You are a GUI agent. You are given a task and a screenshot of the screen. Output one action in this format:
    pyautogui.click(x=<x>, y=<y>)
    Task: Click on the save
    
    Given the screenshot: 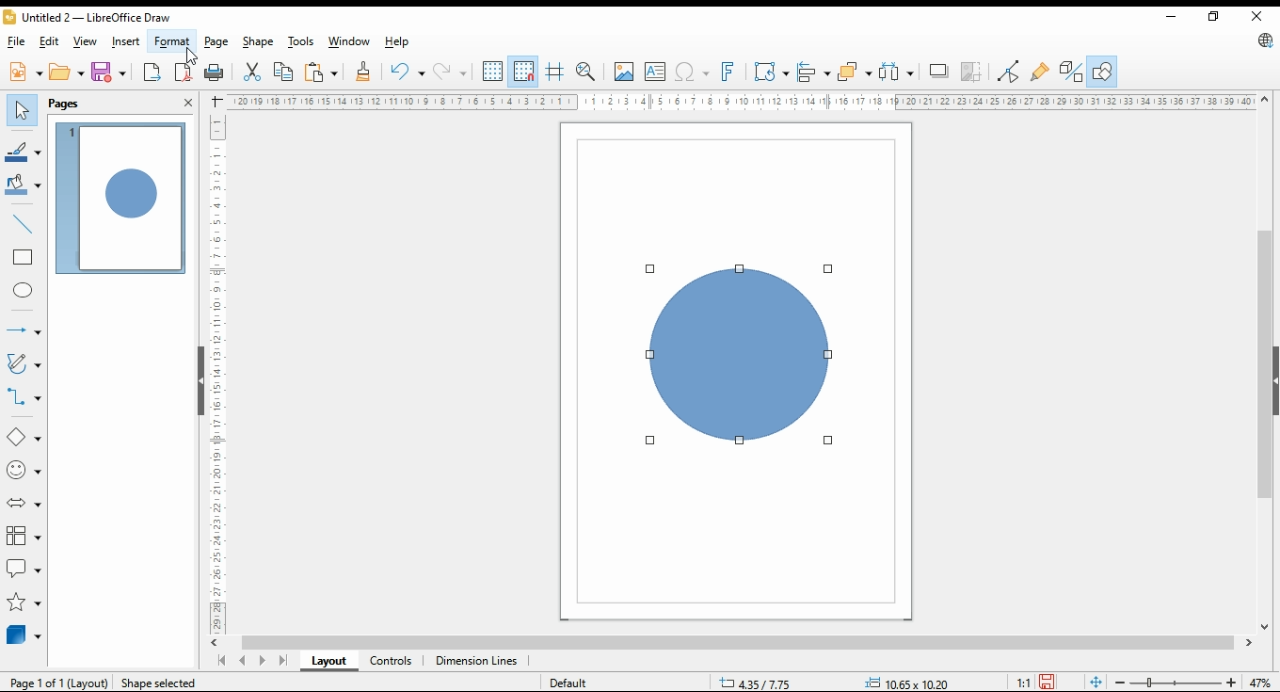 What is the action you would take?
    pyautogui.click(x=1047, y=682)
    